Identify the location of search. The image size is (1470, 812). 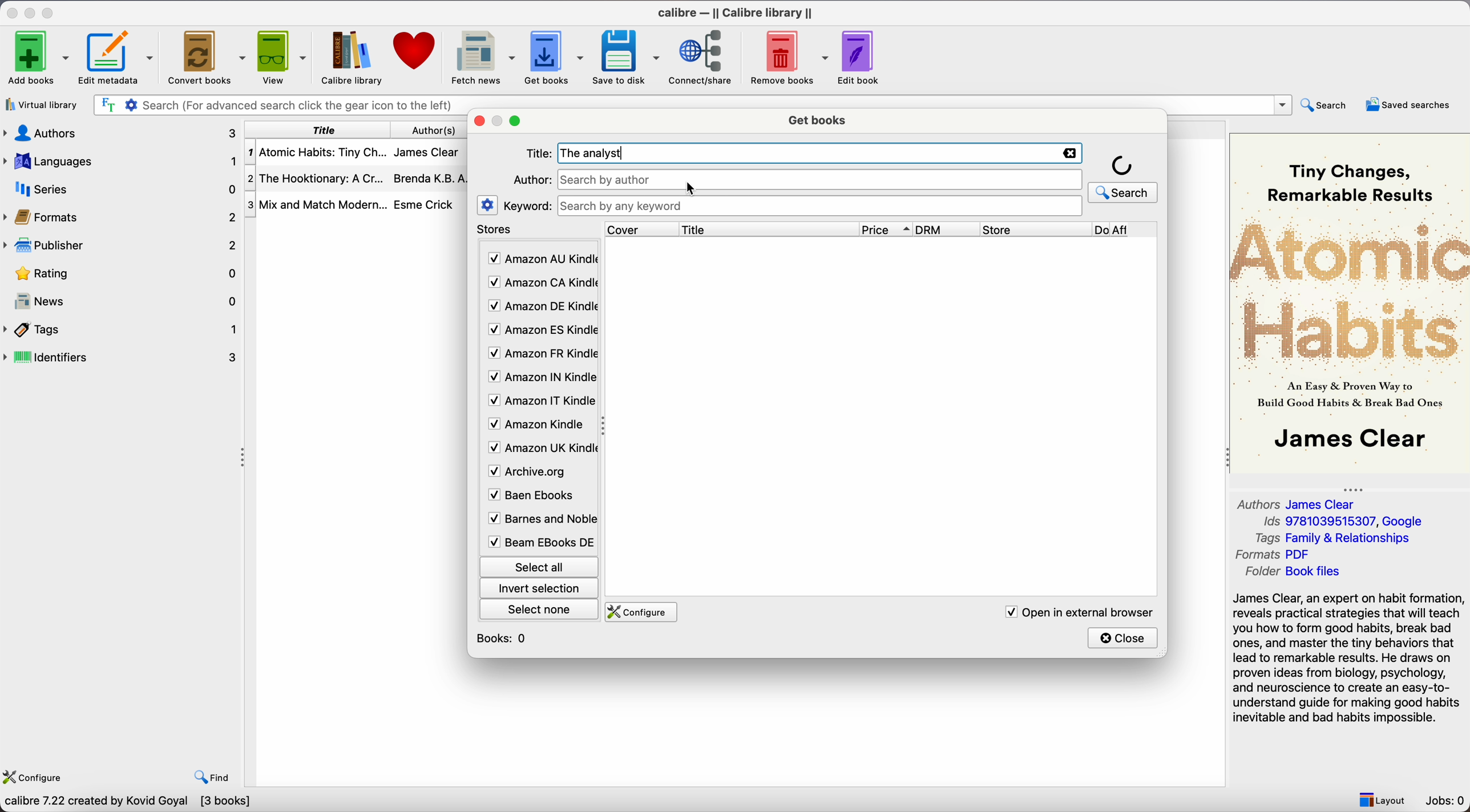
(1324, 105).